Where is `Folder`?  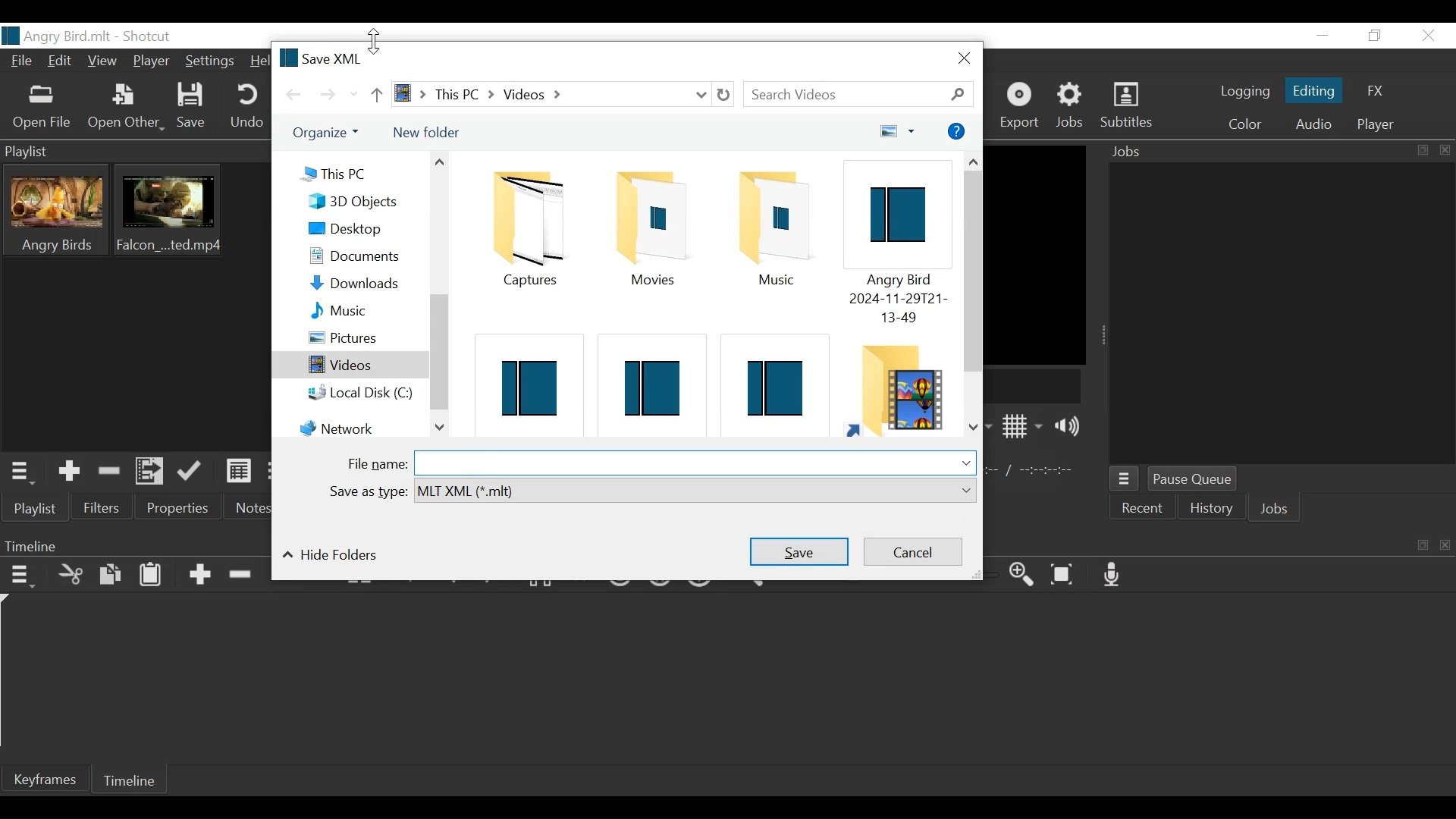
Folder is located at coordinates (897, 387).